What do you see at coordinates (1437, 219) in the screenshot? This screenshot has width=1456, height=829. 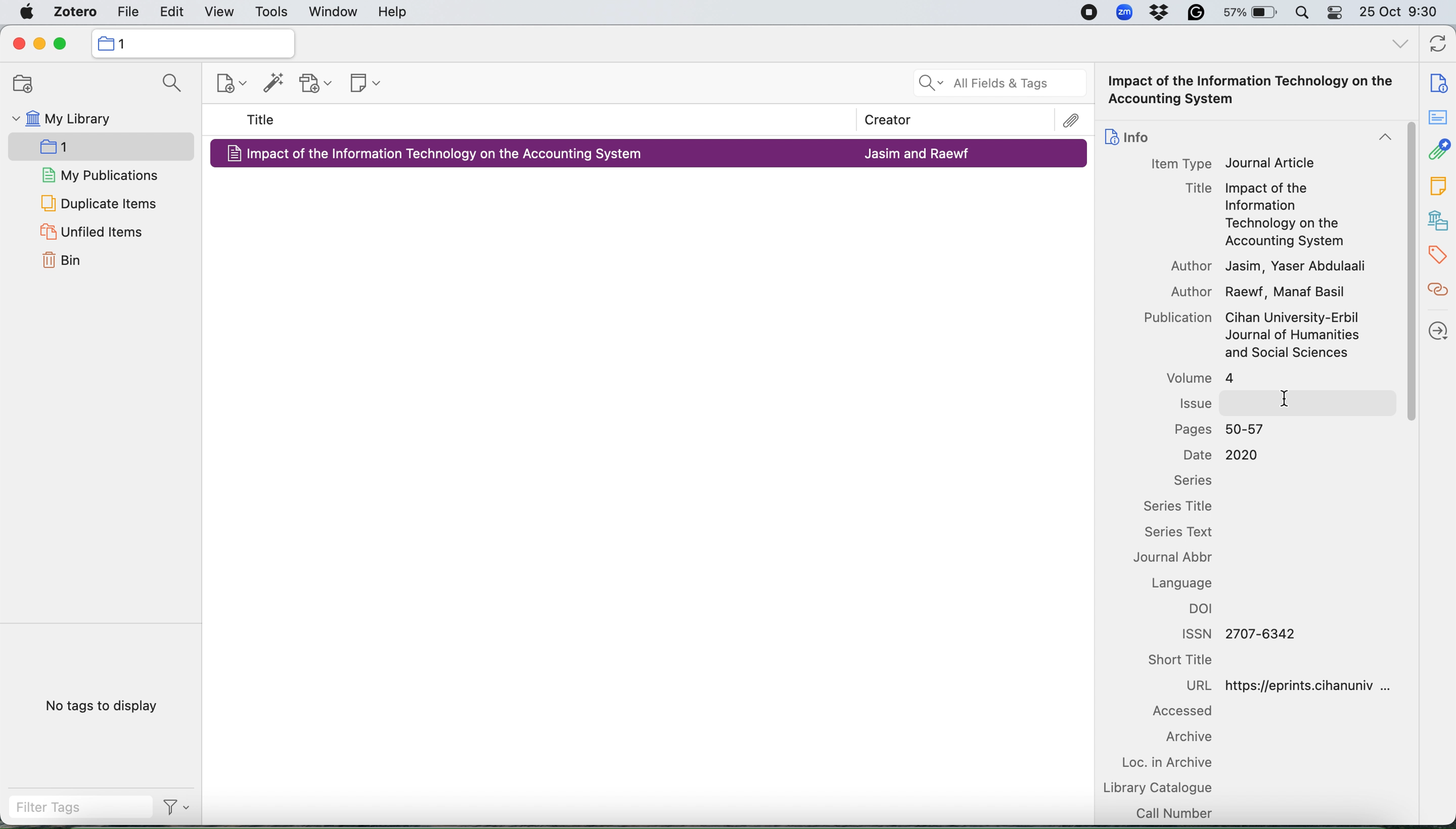 I see `library and collections` at bounding box center [1437, 219].